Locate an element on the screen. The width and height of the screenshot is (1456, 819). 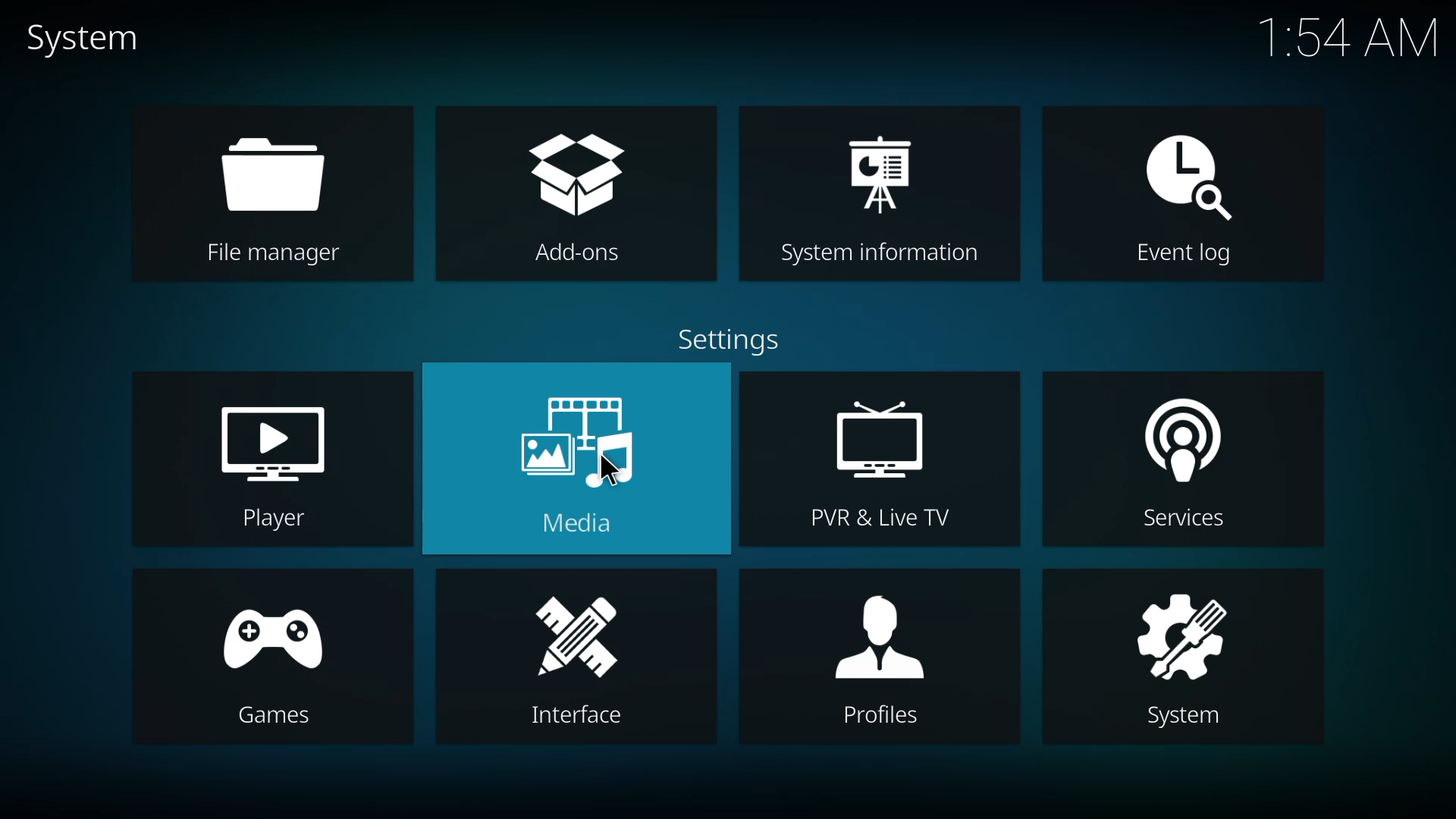
player is located at coordinates (274, 462).